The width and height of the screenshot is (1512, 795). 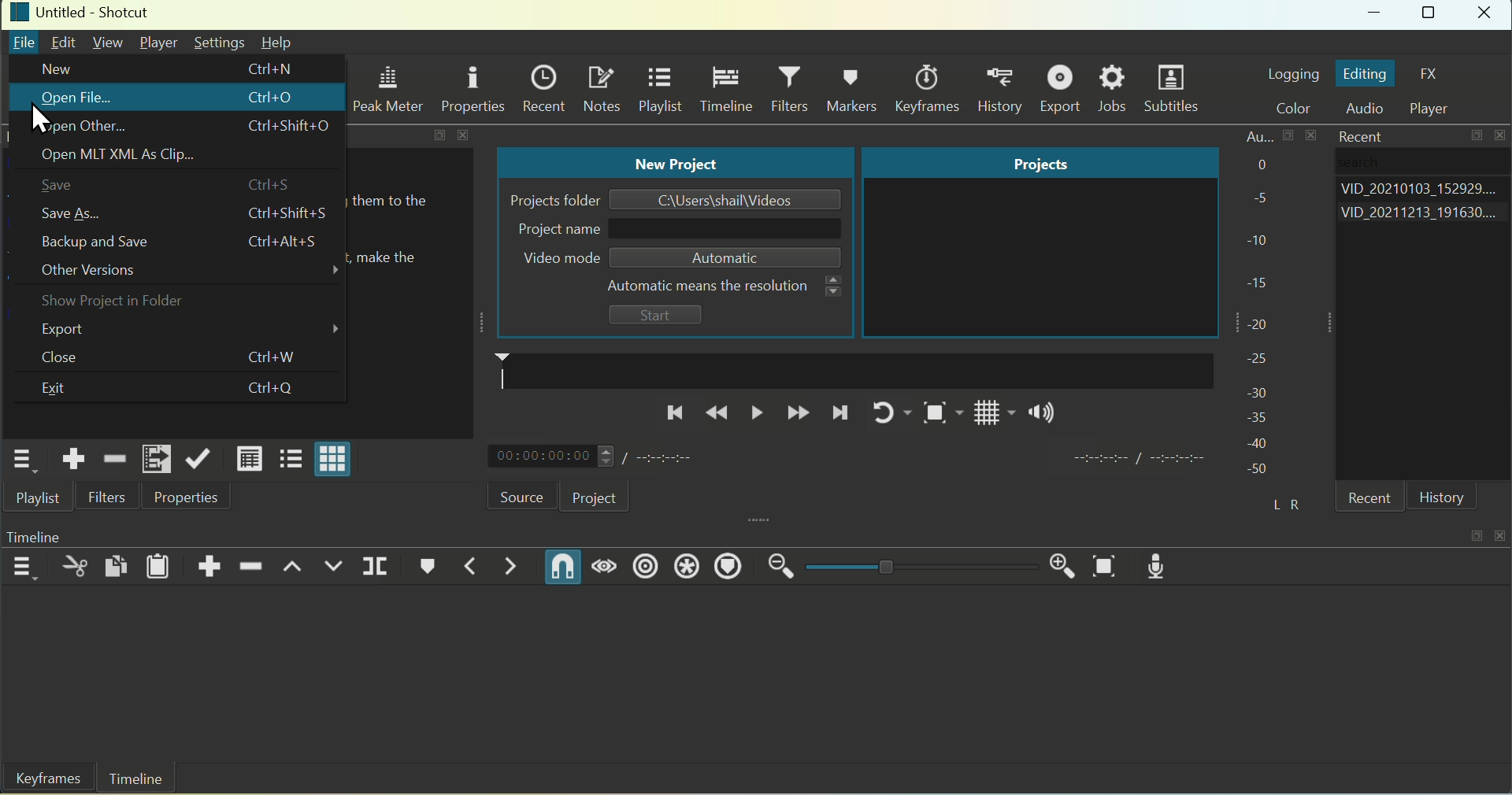 I want to click on Automatic, so click(x=717, y=257).